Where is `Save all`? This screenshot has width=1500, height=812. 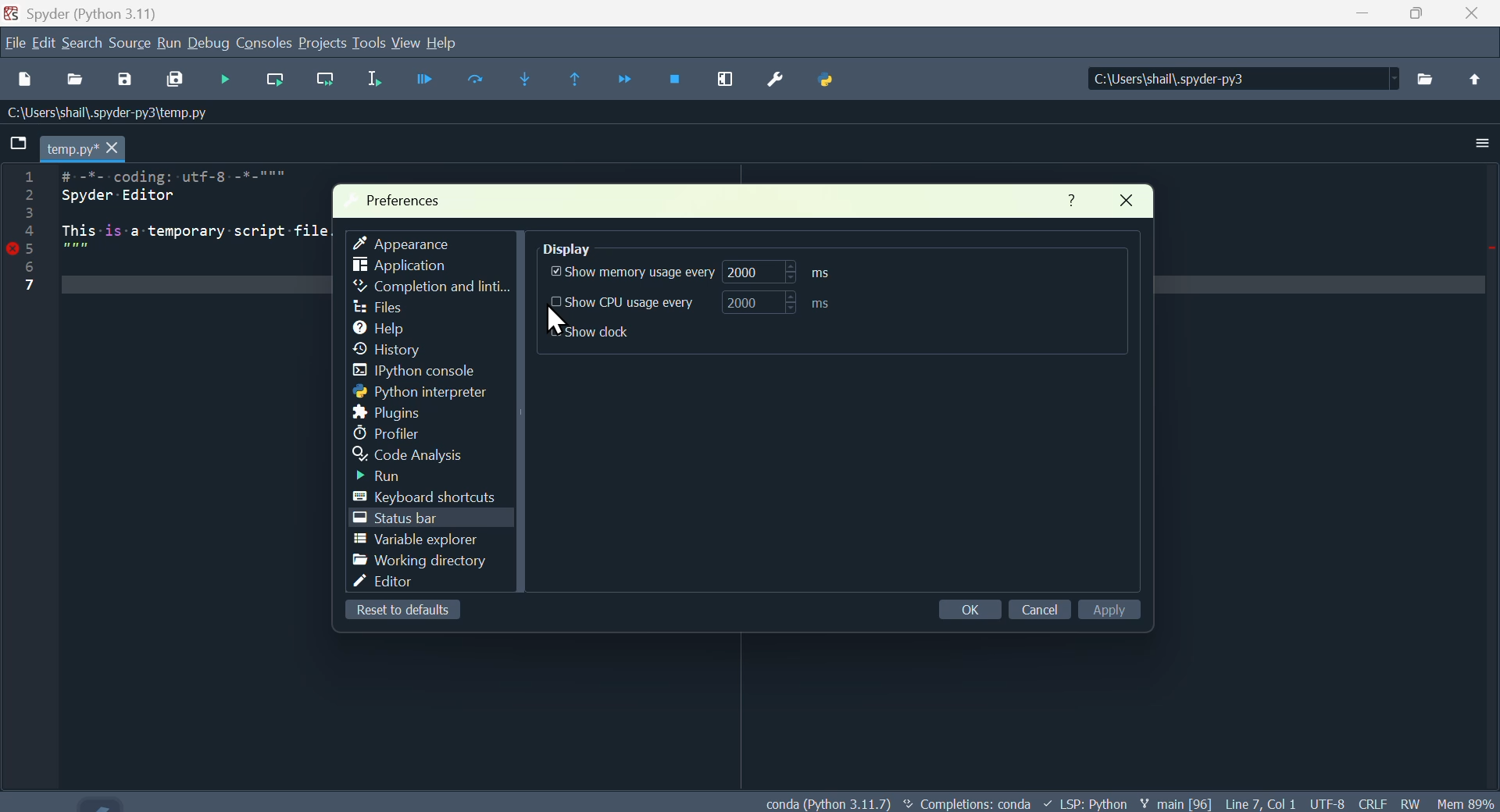
Save all is located at coordinates (179, 78).